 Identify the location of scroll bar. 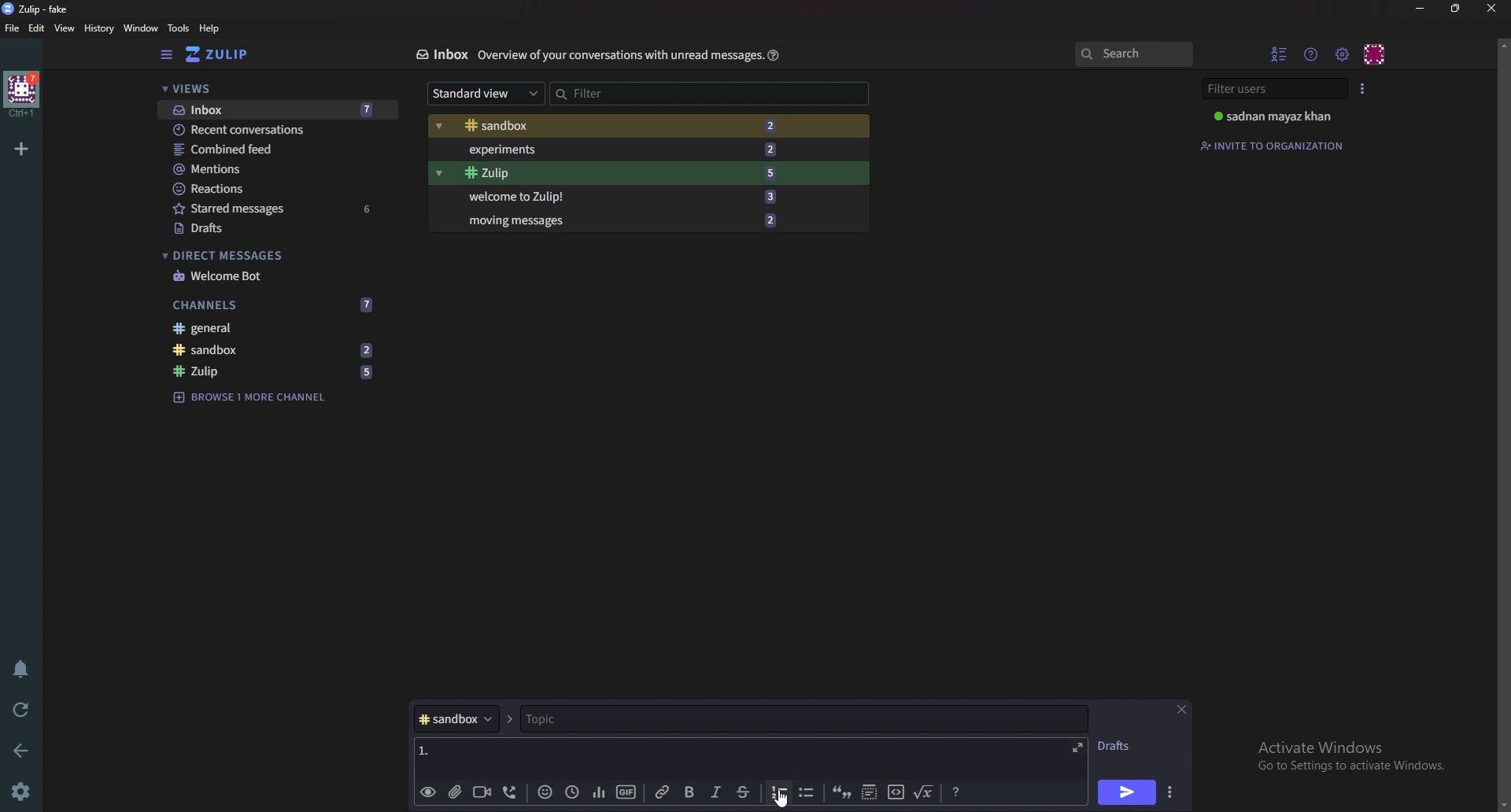
(1503, 423).